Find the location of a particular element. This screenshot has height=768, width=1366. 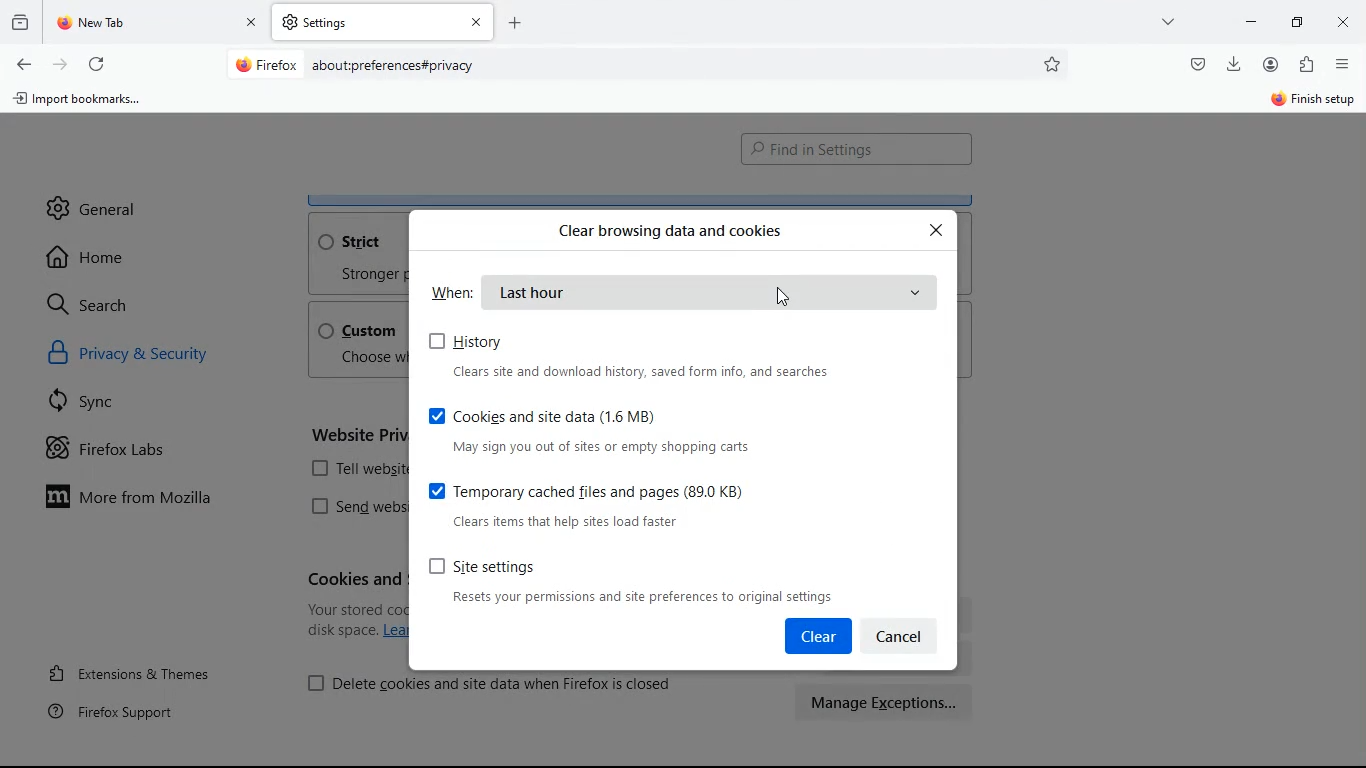

[J Delete cookies and site data when Firefox is closed is located at coordinates (492, 682).